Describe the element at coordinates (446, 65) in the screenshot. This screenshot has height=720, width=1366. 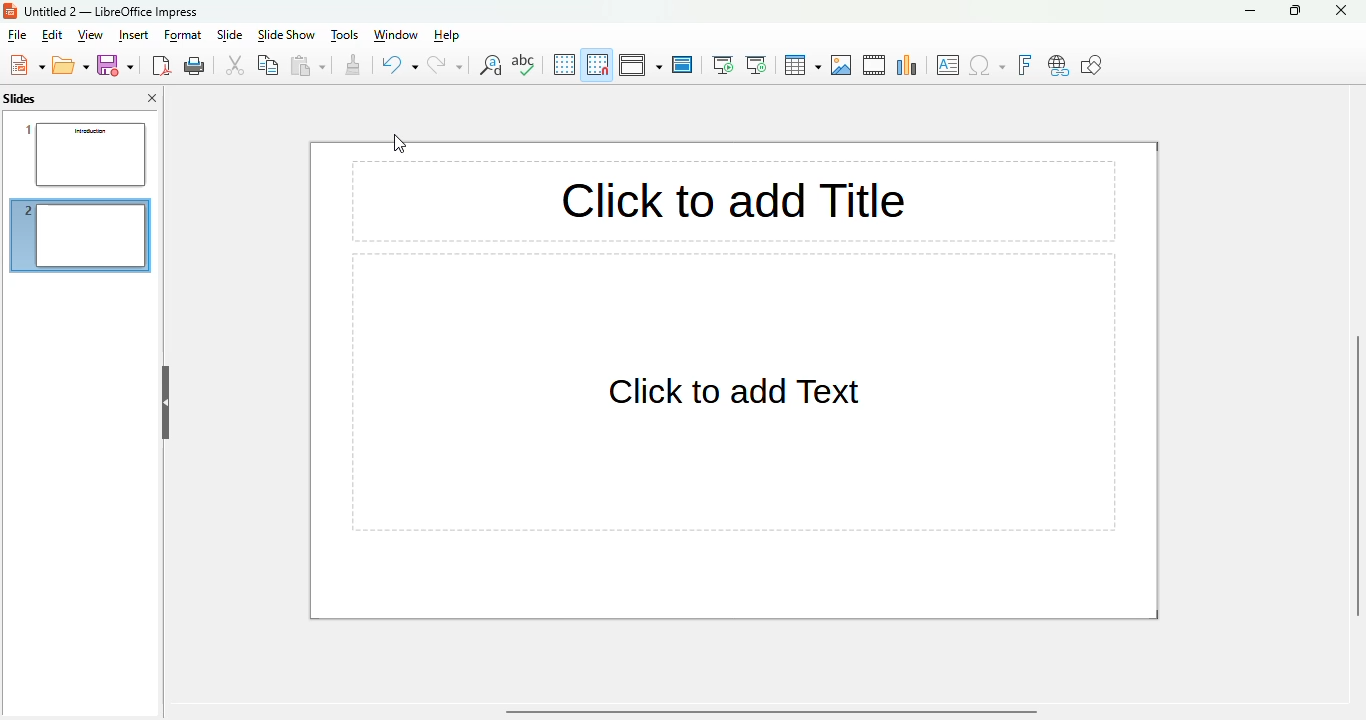
I see `redo` at that location.